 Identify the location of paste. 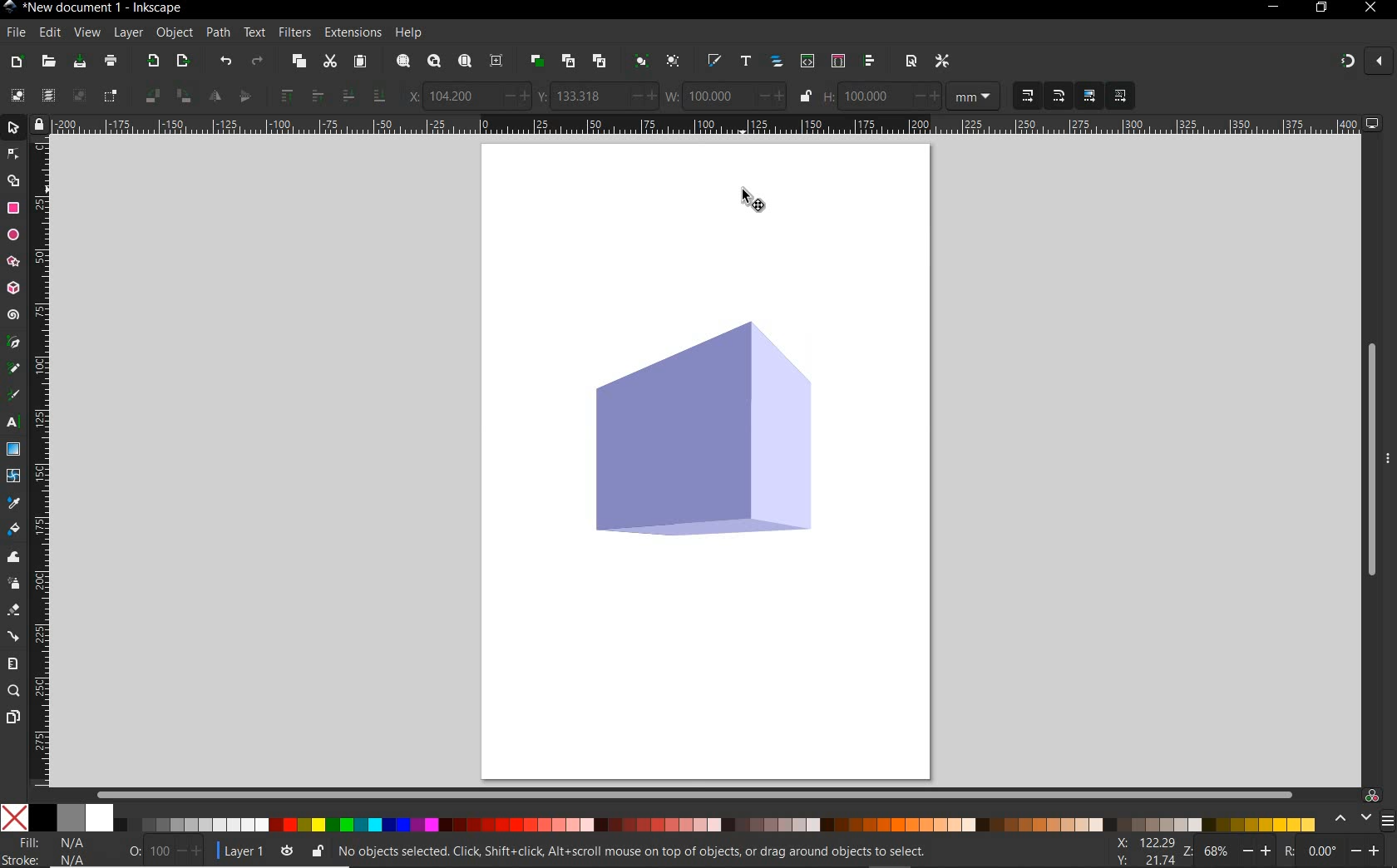
(360, 62).